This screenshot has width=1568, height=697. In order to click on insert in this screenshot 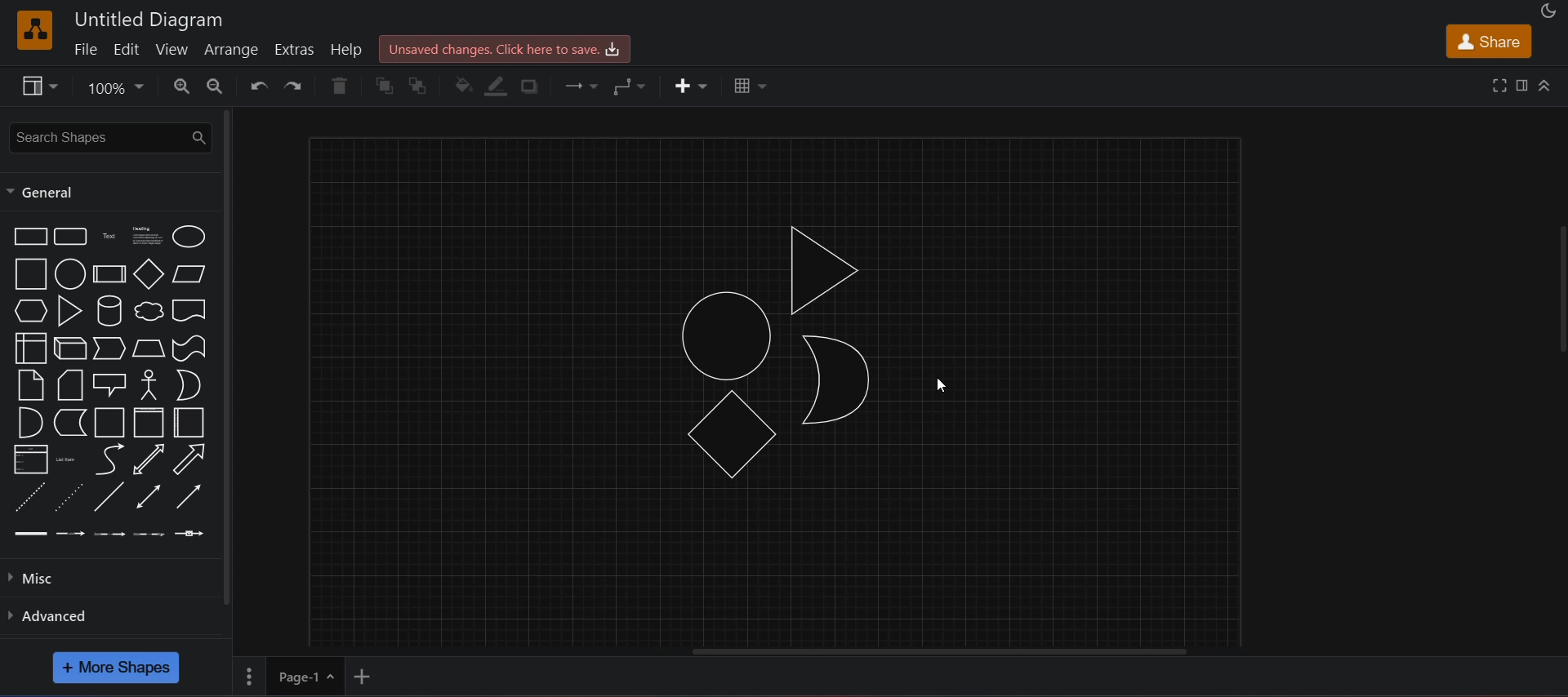, I will do `click(689, 84)`.